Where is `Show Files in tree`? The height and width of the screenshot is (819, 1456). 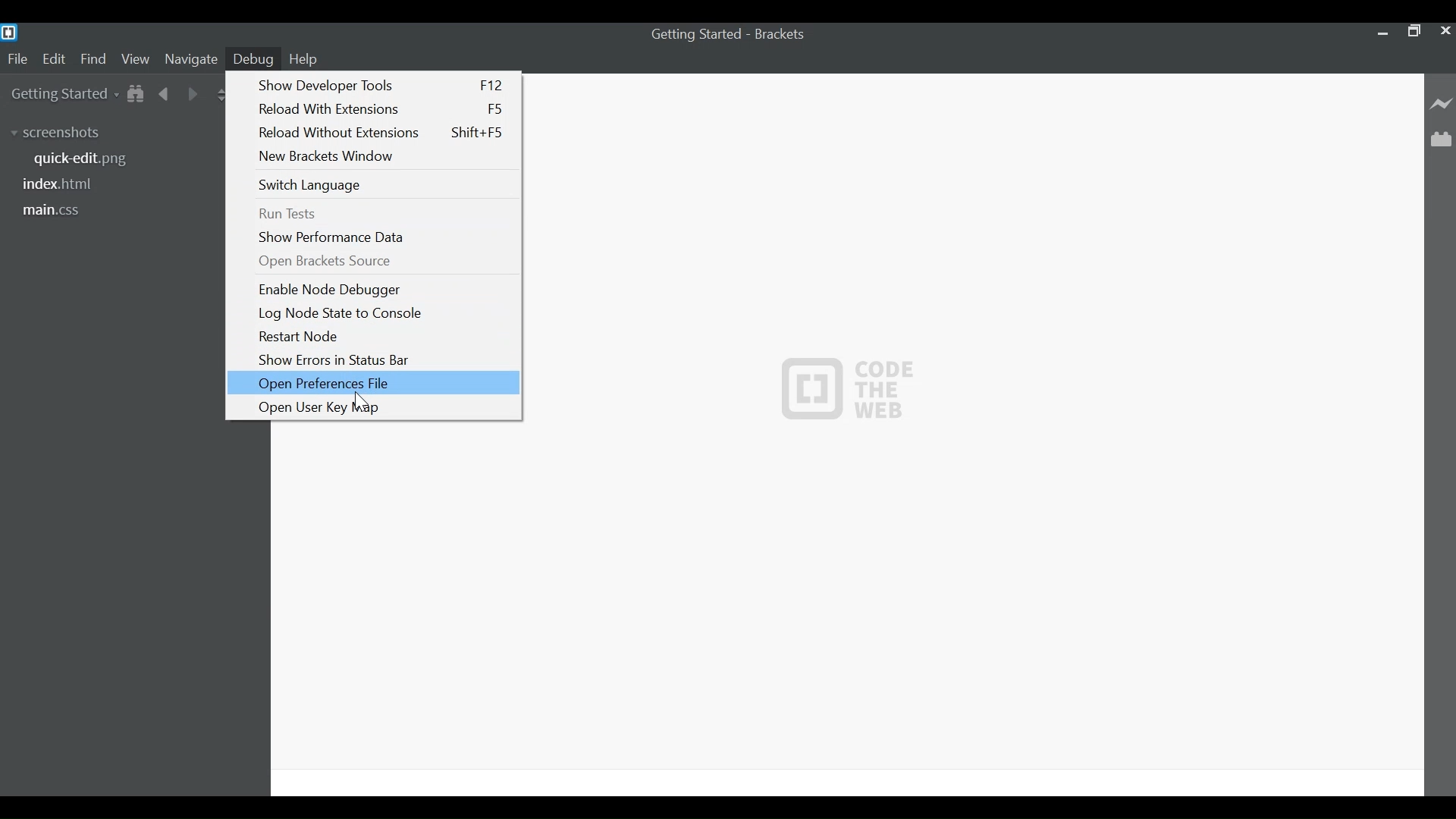
Show Files in tree is located at coordinates (137, 93).